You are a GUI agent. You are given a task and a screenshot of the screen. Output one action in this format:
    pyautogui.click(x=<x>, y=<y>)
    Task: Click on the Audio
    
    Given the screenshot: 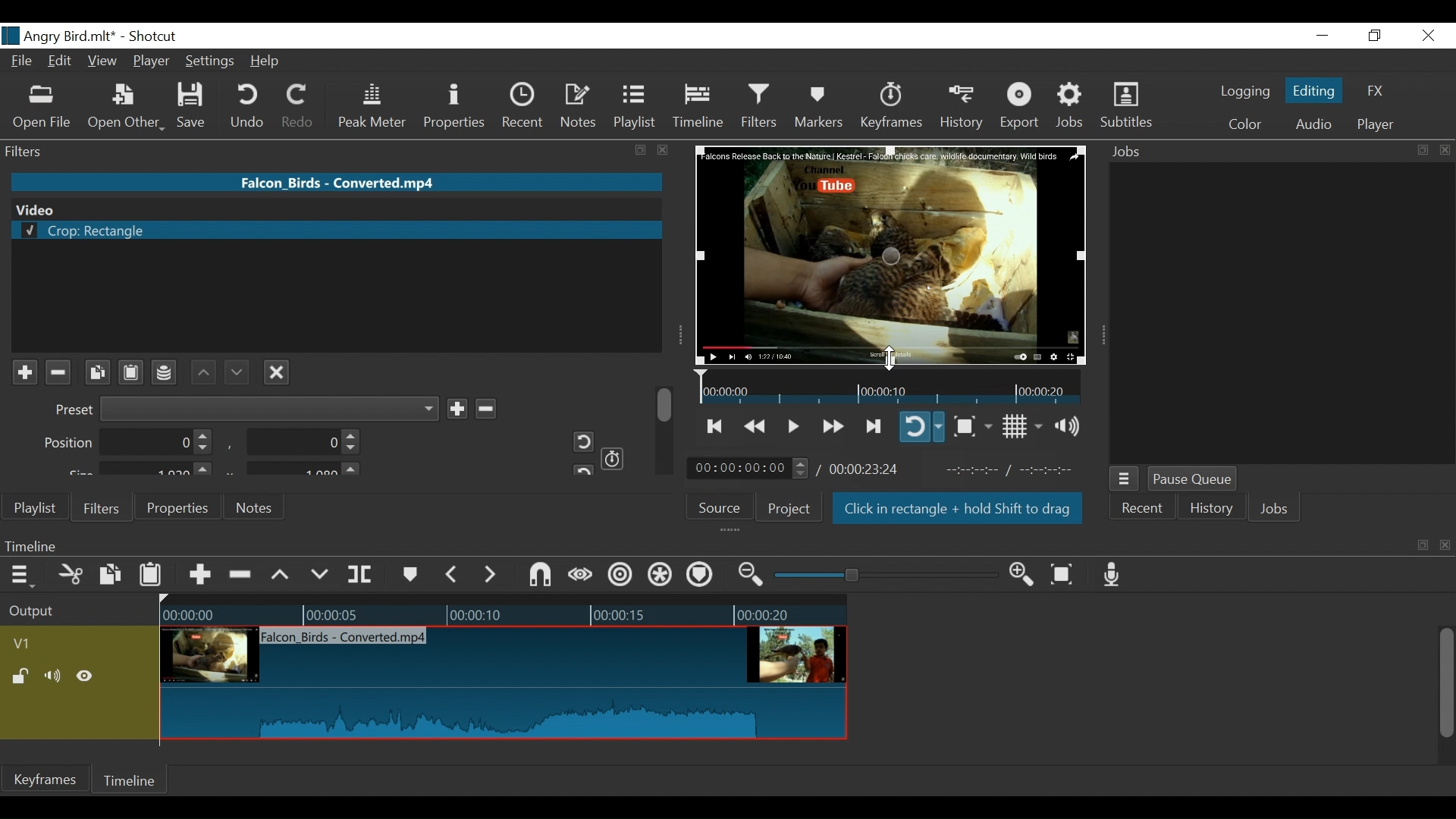 What is the action you would take?
    pyautogui.click(x=1313, y=126)
    